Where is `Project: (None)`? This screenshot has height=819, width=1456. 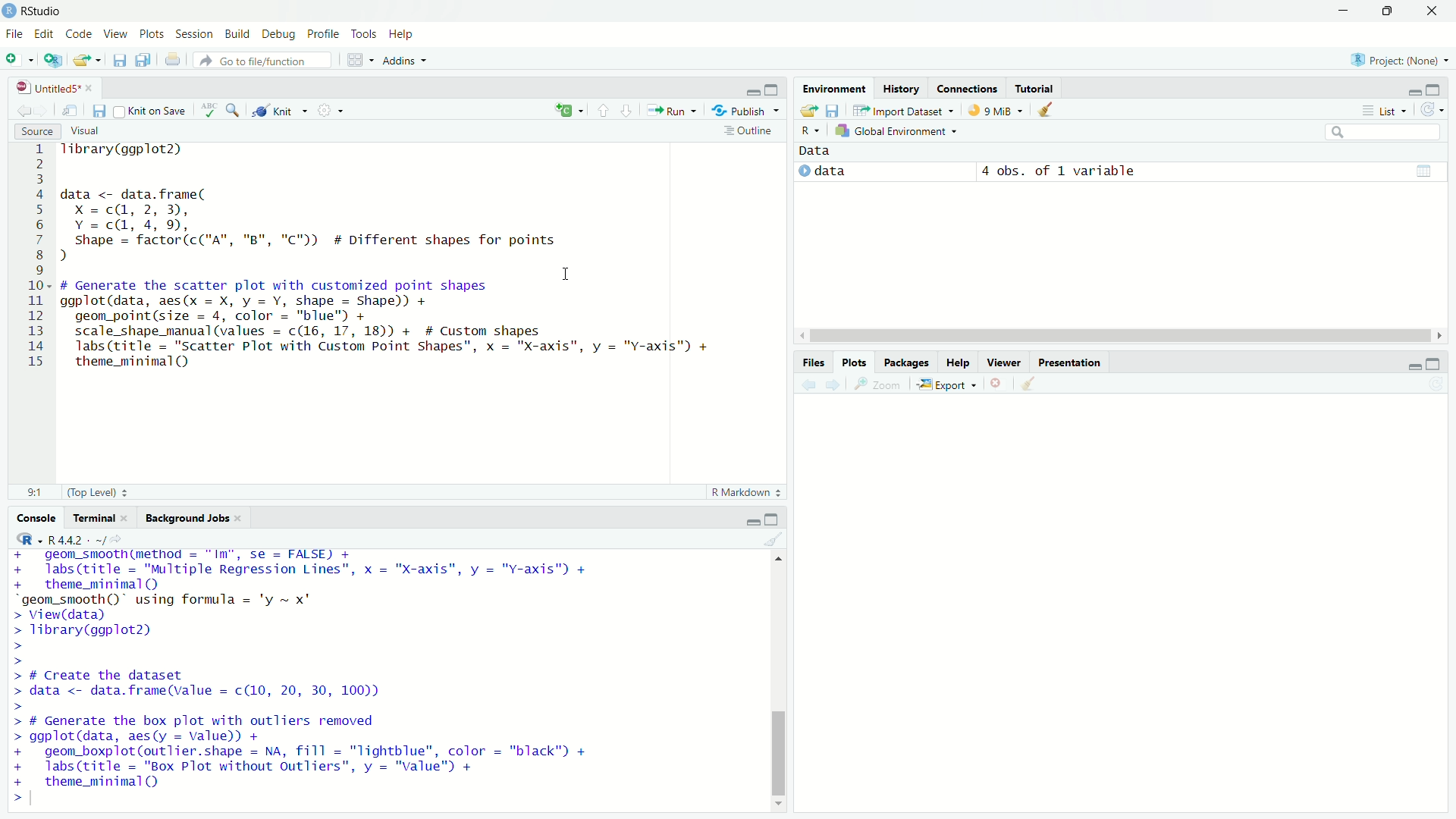 Project: (None) is located at coordinates (1398, 60).